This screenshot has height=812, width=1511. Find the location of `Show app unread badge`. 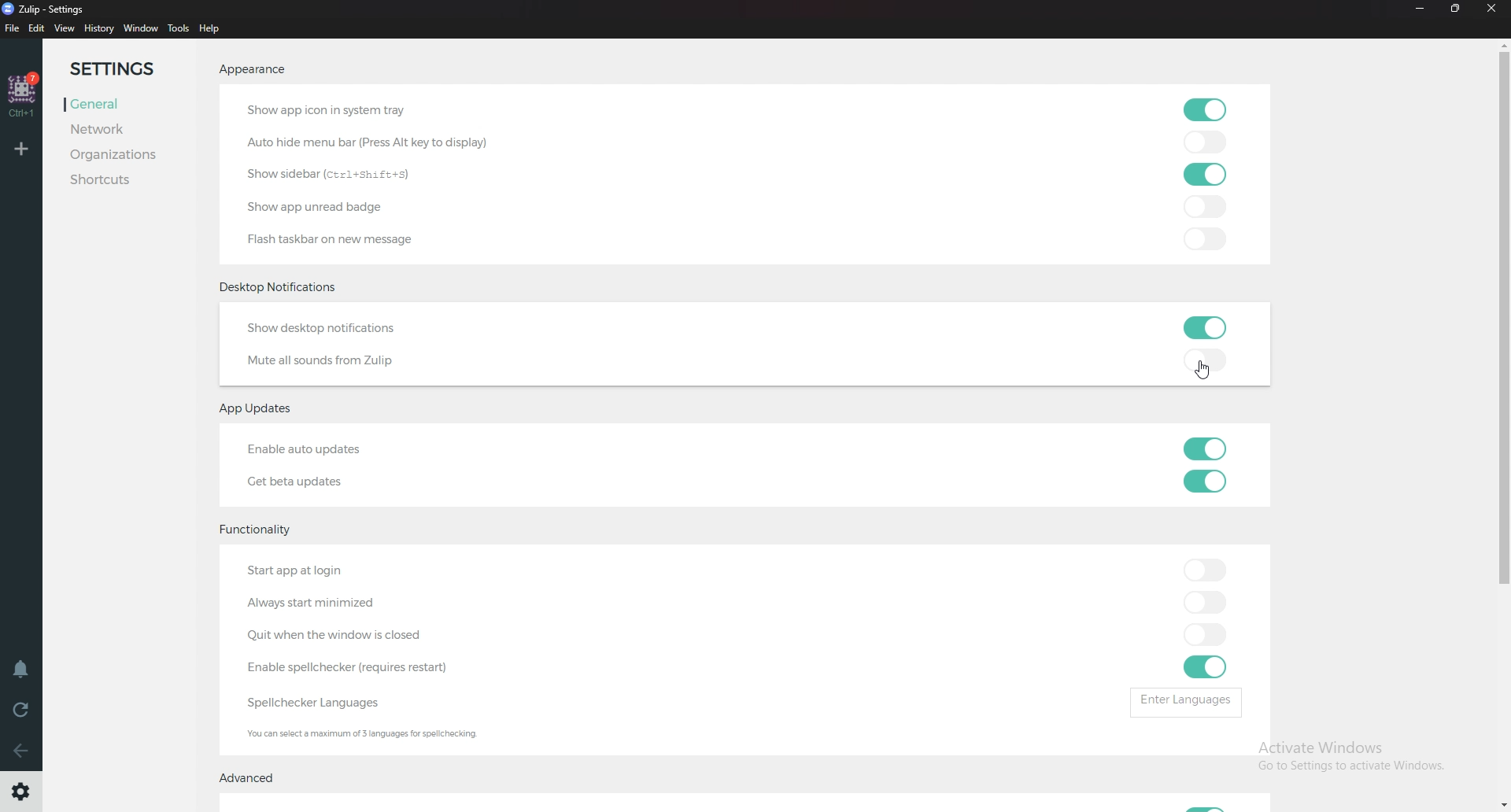

Show app unread badge is located at coordinates (330, 205).